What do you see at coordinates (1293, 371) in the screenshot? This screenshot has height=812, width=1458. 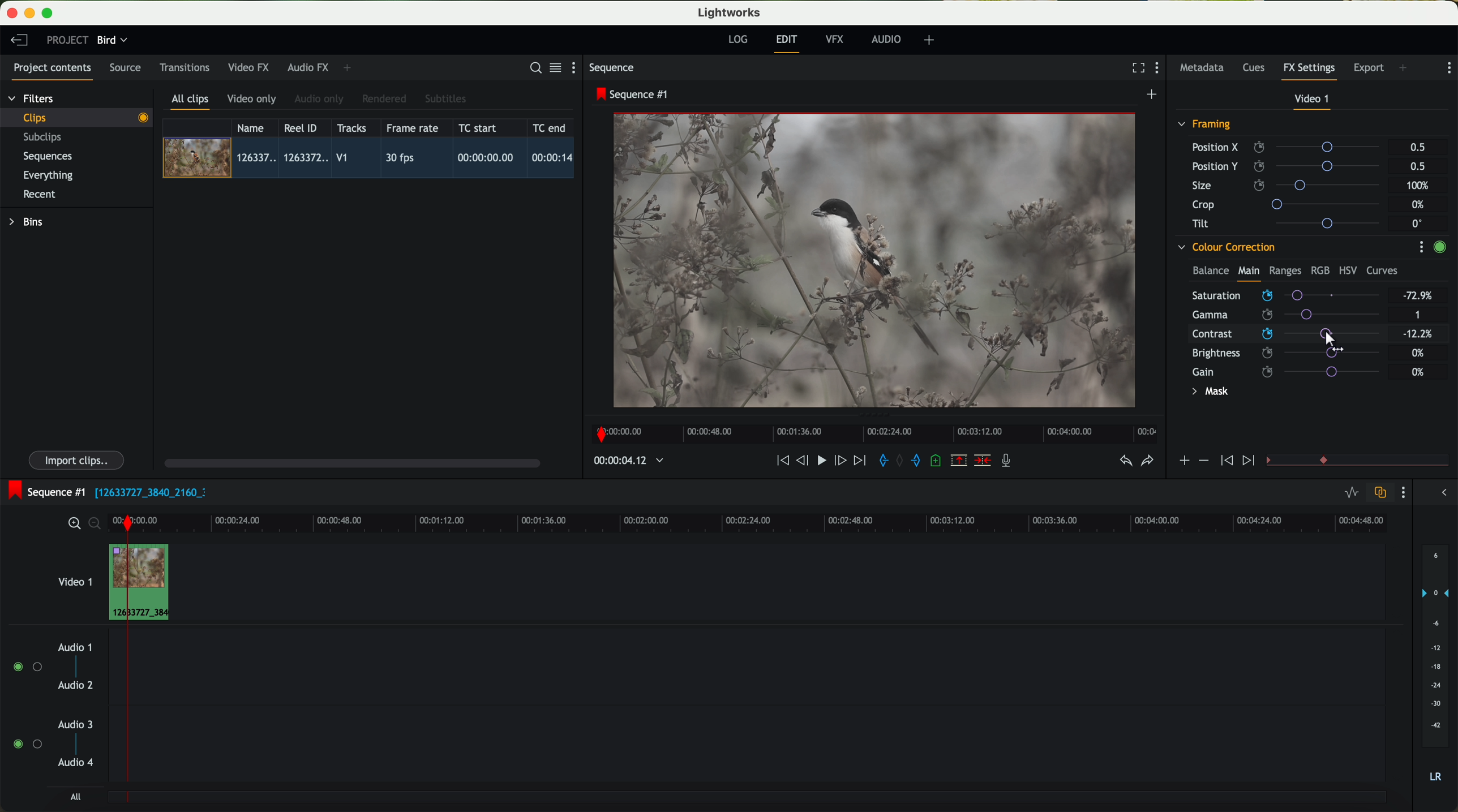 I see `gain` at bounding box center [1293, 371].